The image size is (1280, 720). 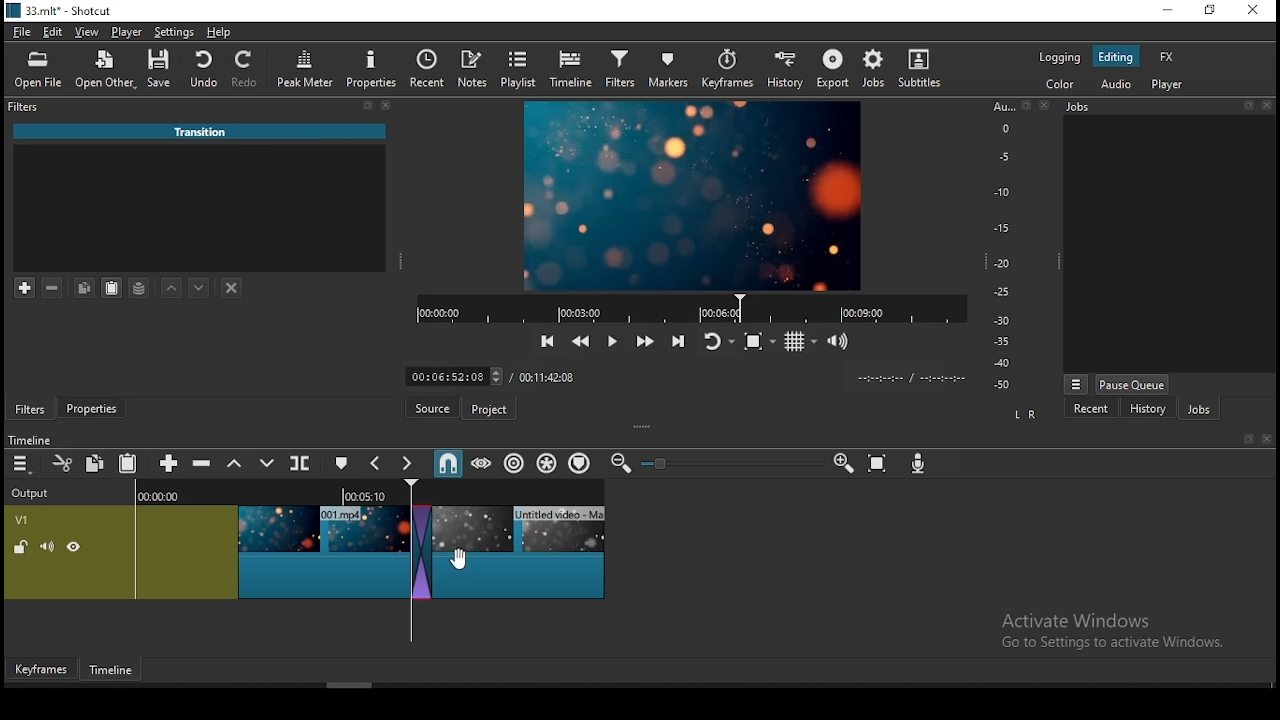 What do you see at coordinates (219, 30) in the screenshot?
I see `help` at bounding box center [219, 30].